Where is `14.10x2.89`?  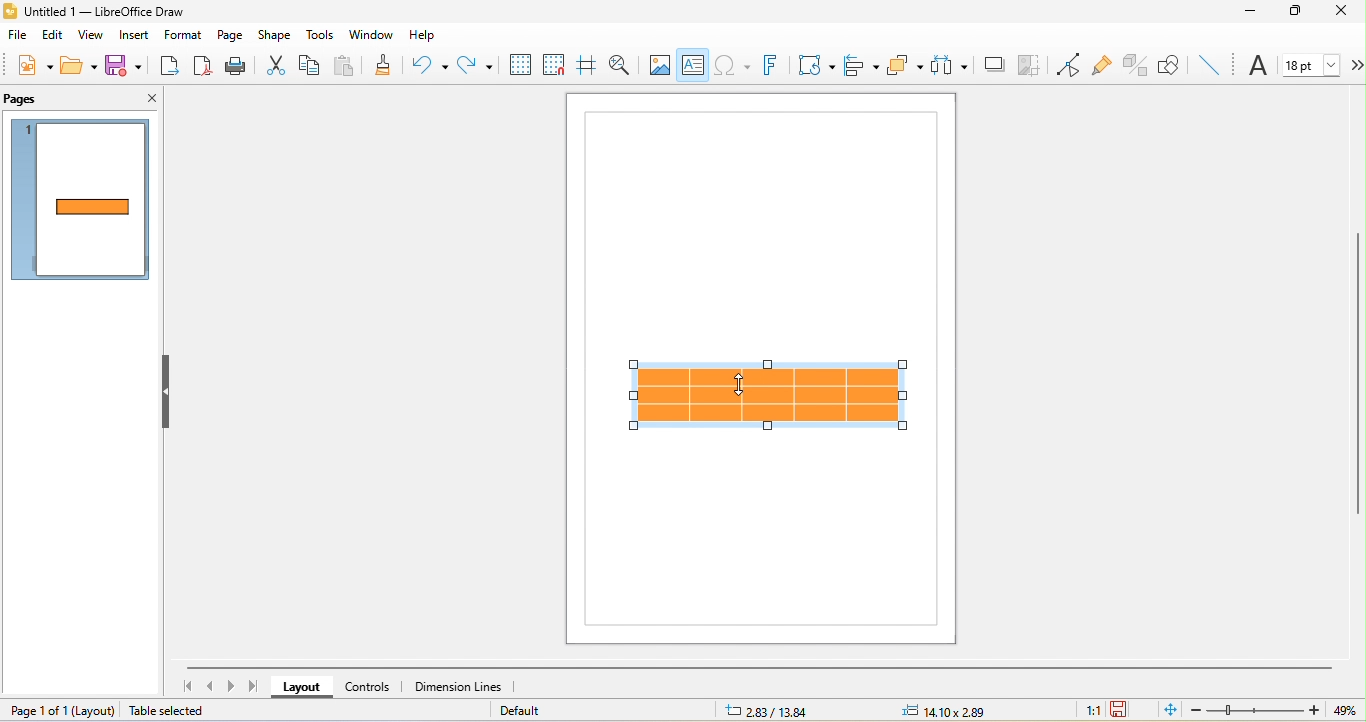 14.10x2.89 is located at coordinates (947, 709).